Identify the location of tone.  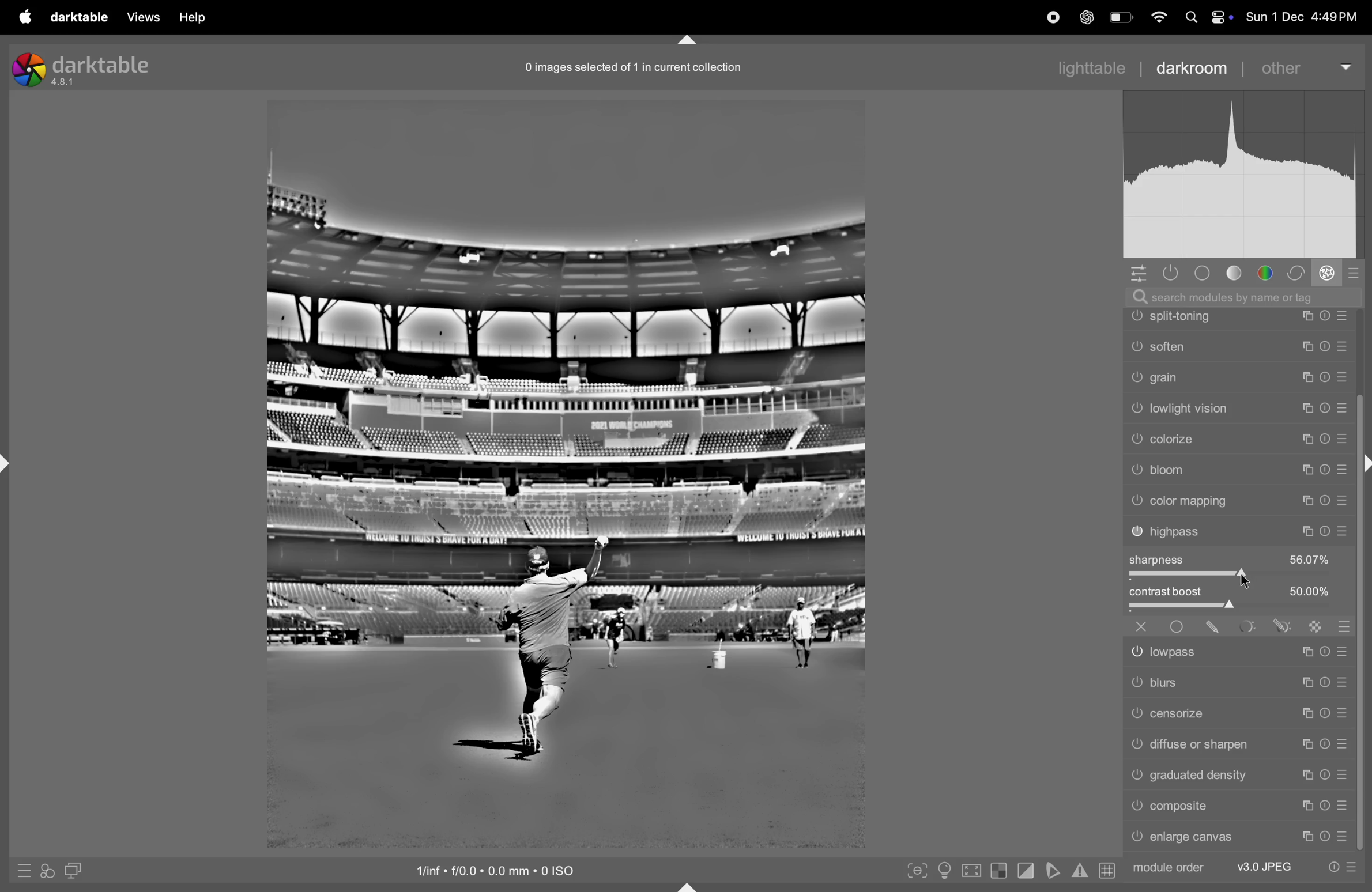
(1239, 273).